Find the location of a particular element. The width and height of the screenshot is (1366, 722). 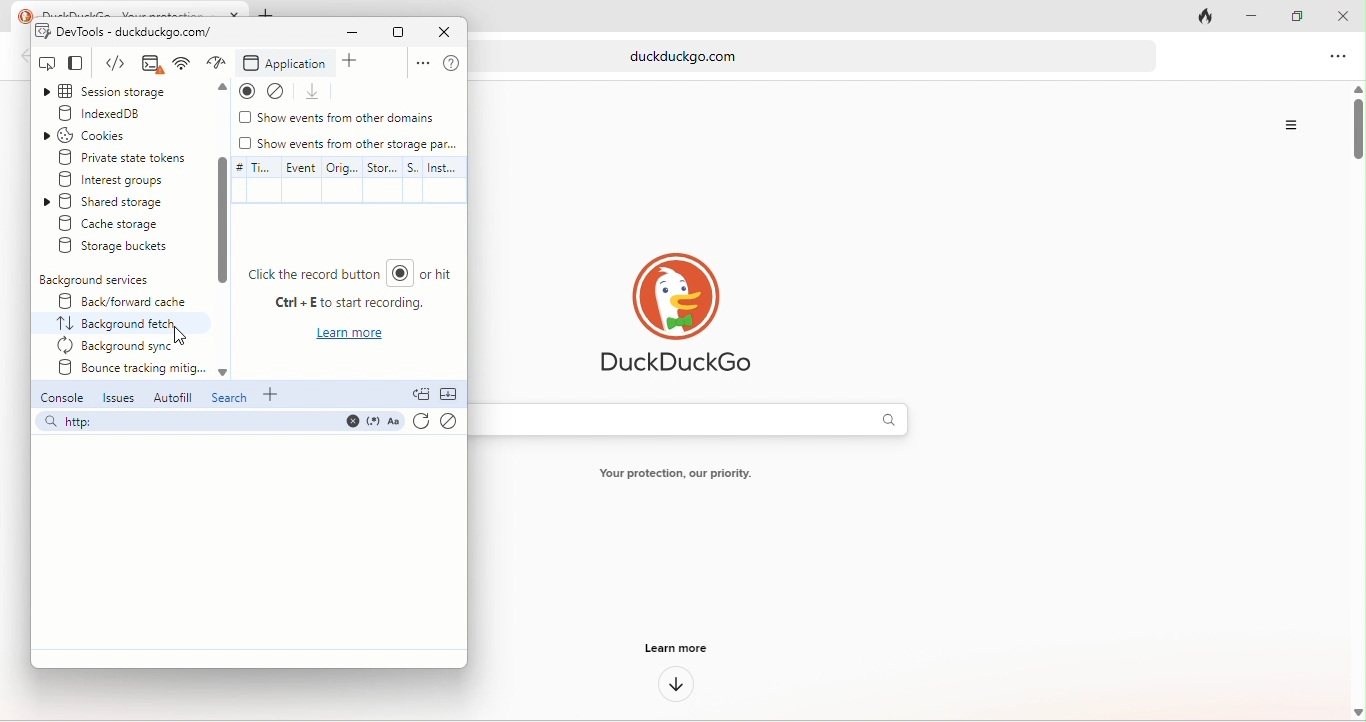

change view is located at coordinates (84, 65).